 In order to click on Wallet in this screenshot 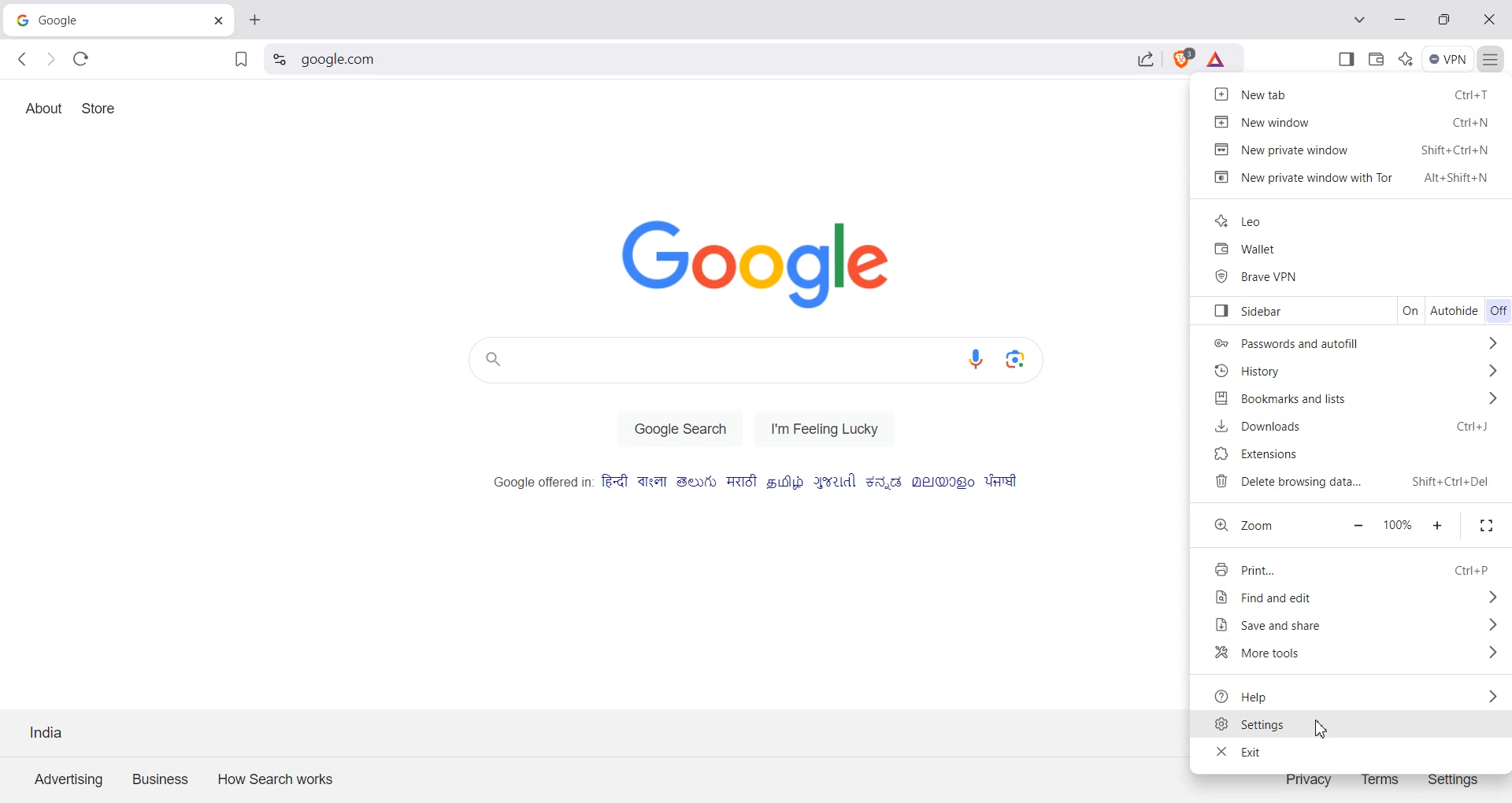, I will do `click(1356, 248)`.